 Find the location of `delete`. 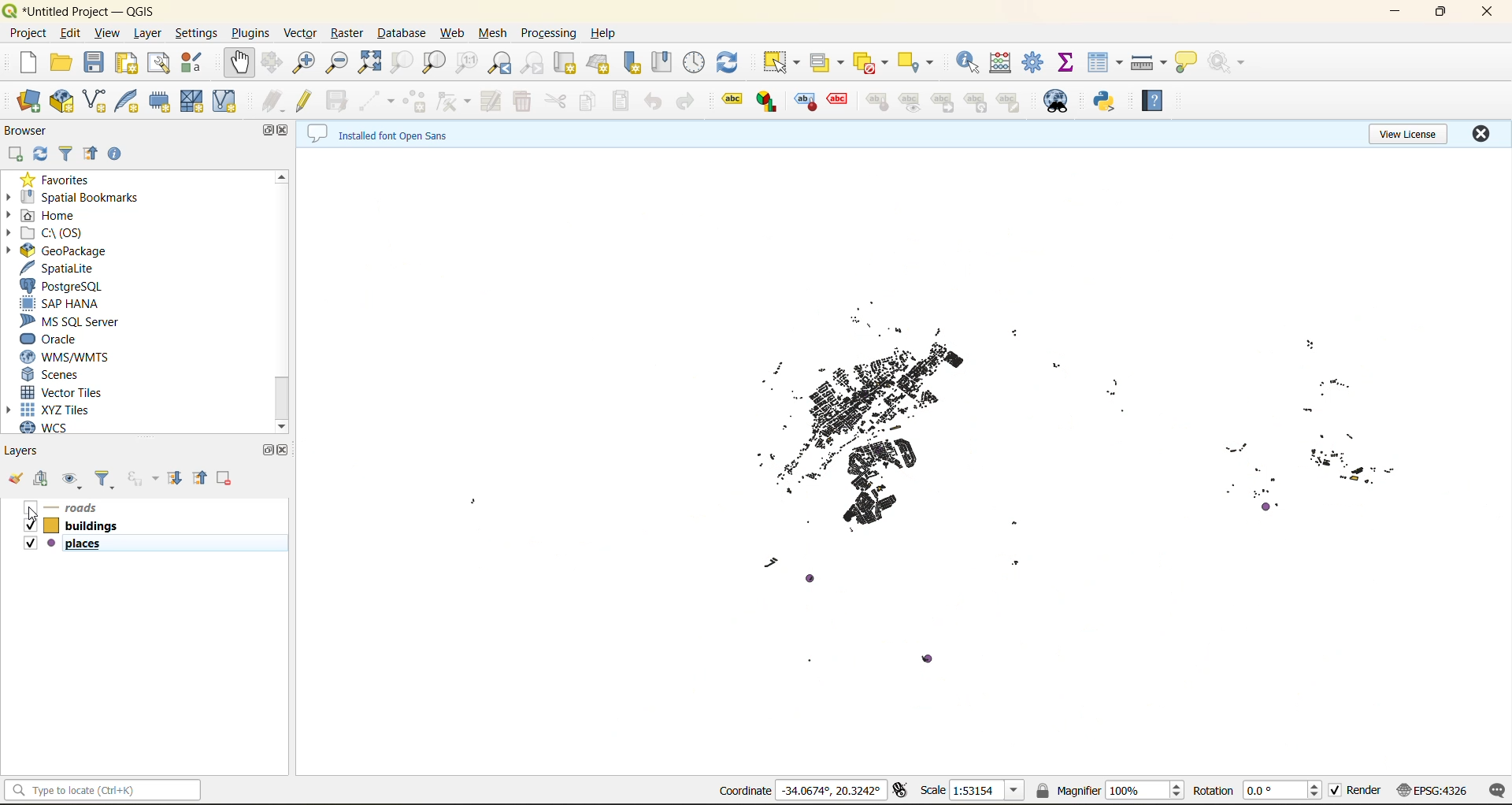

delete is located at coordinates (524, 102).